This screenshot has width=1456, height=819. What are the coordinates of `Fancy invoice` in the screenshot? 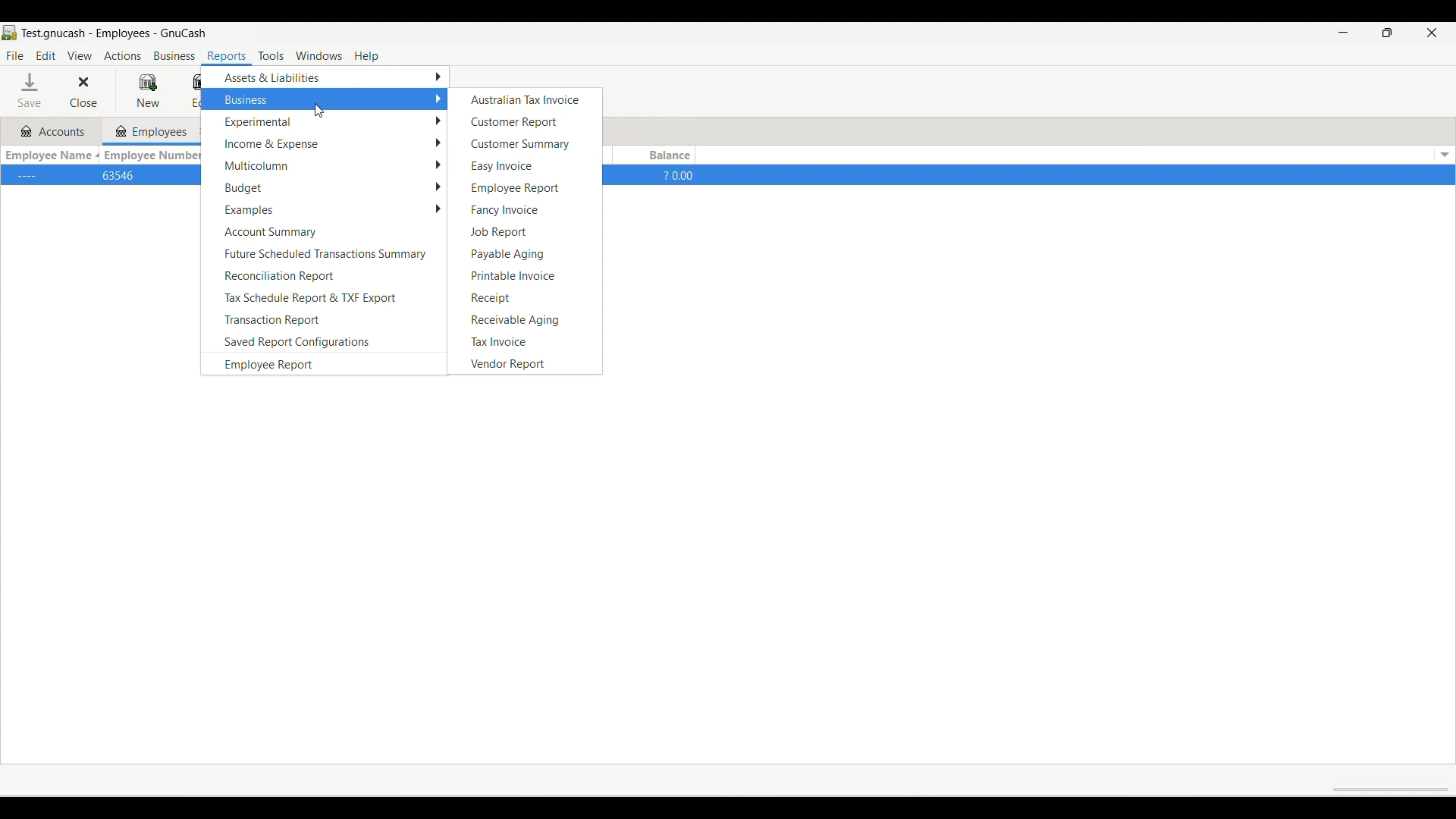 It's located at (525, 210).